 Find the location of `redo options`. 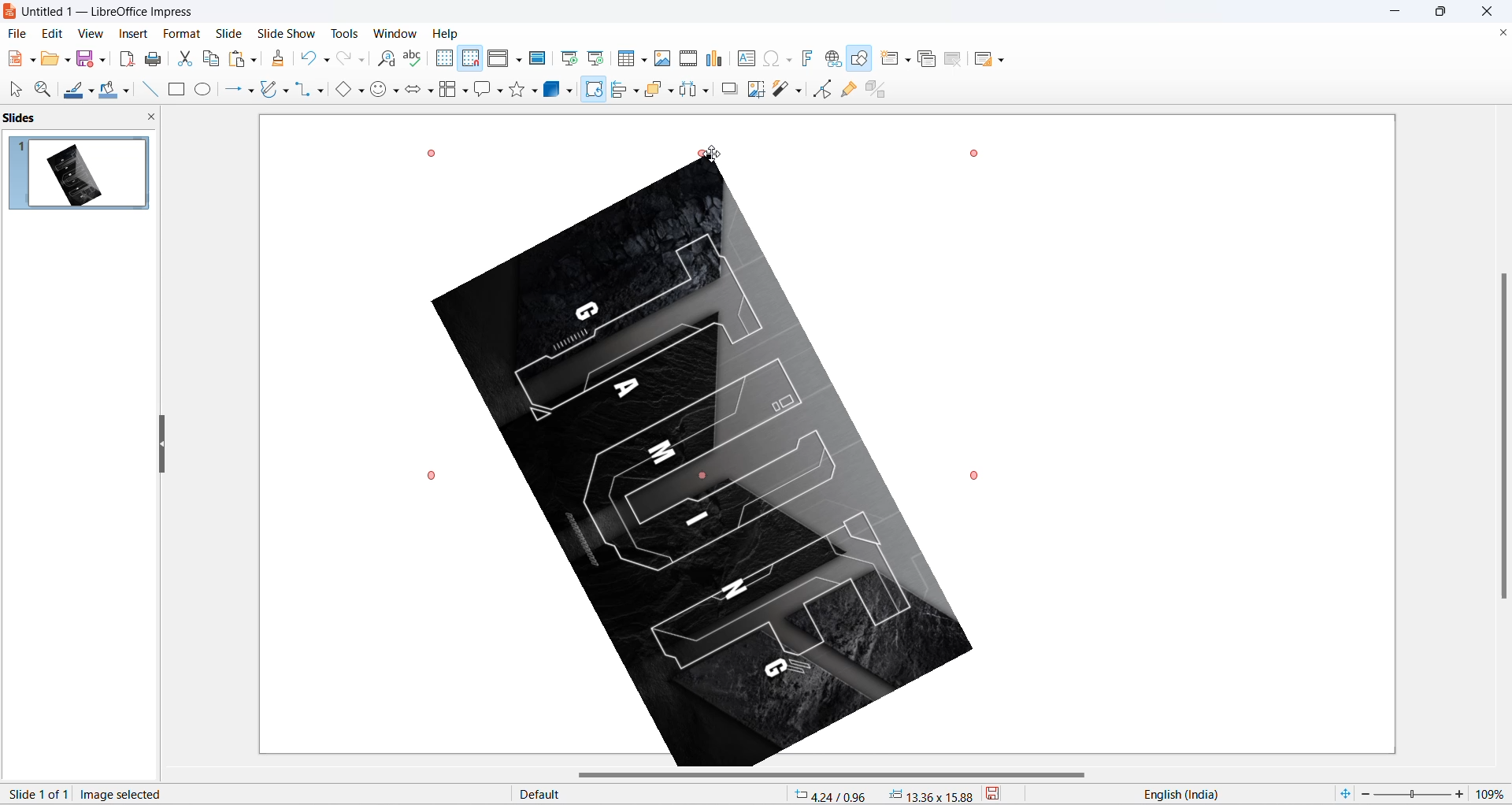

redo options is located at coordinates (363, 61).